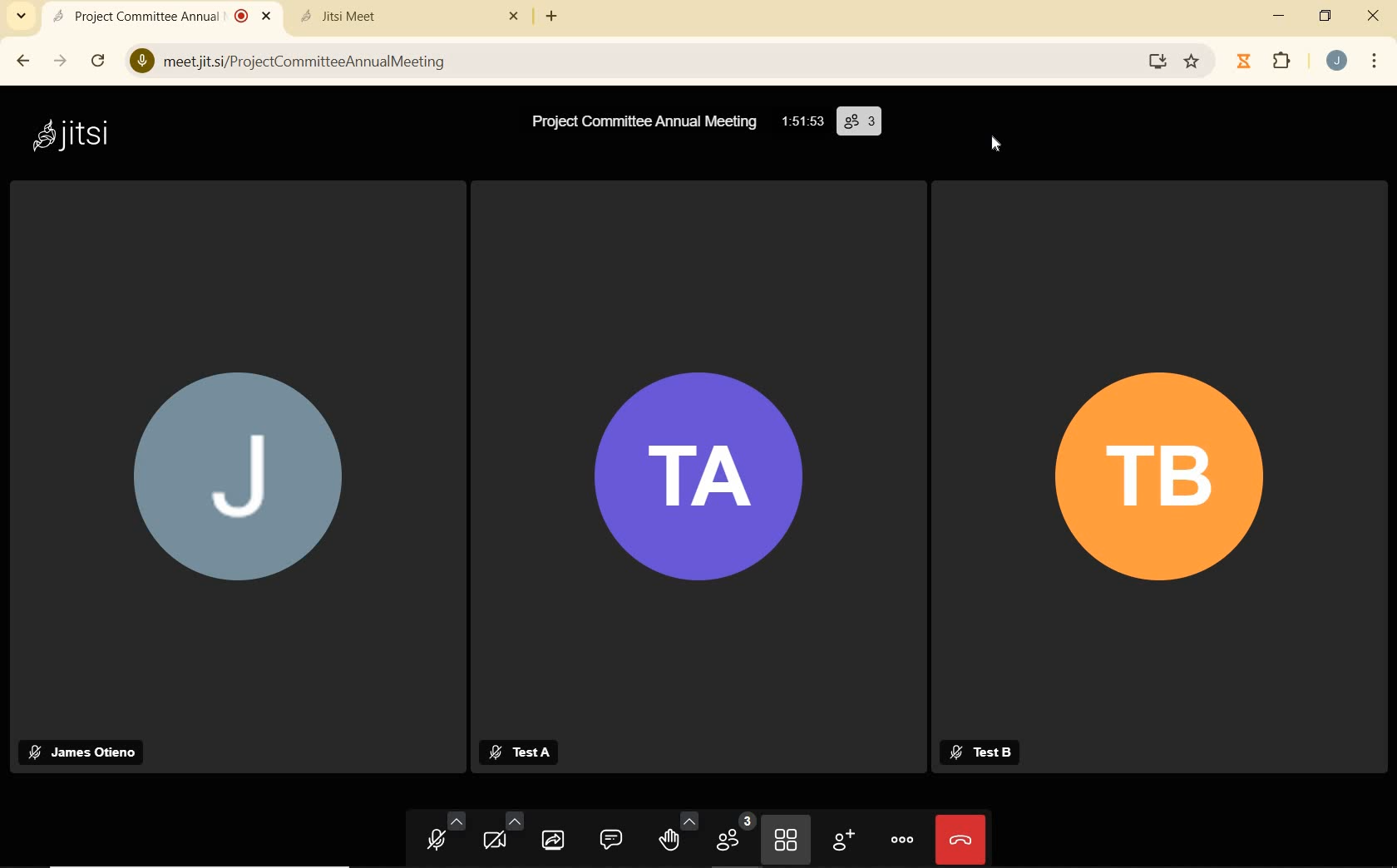  What do you see at coordinates (138, 63) in the screenshot?
I see `Microphone` at bounding box center [138, 63].